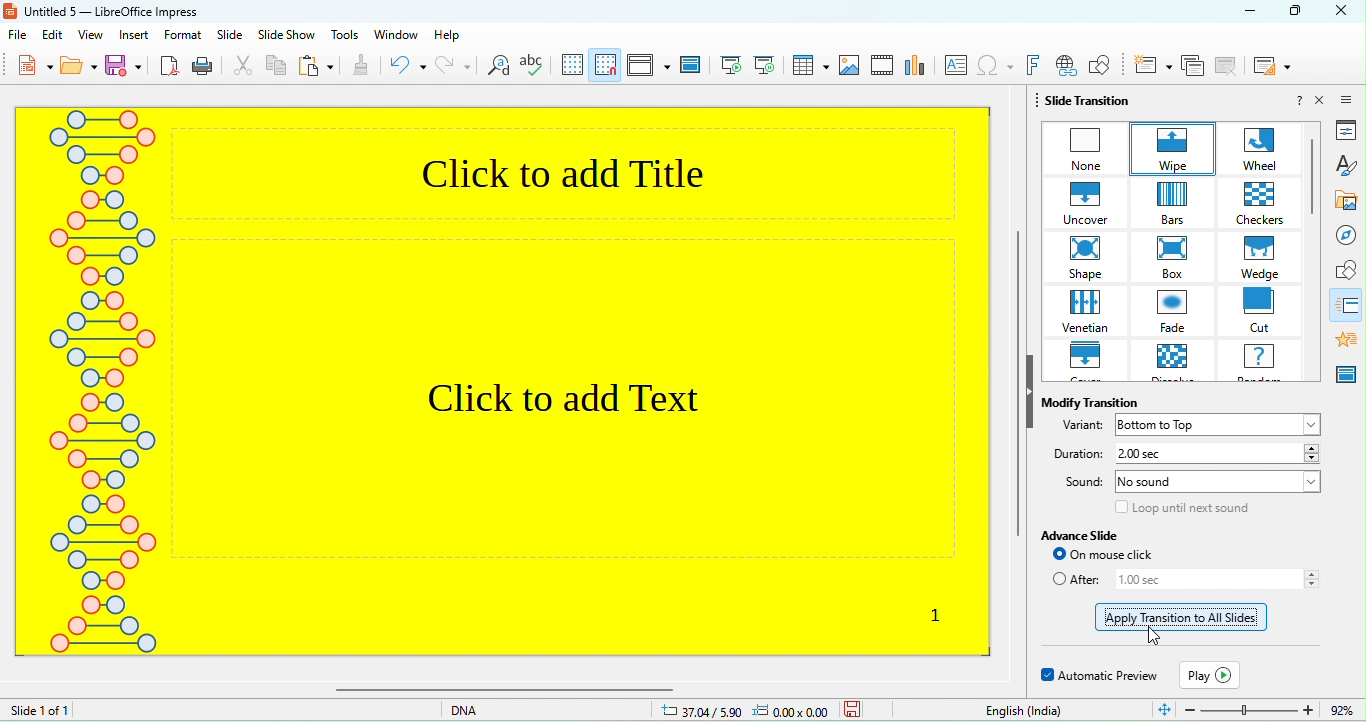 This screenshot has height=722, width=1366. Describe the element at coordinates (170, 68) in the screenshot. I see `export directly as pdf` at that location.